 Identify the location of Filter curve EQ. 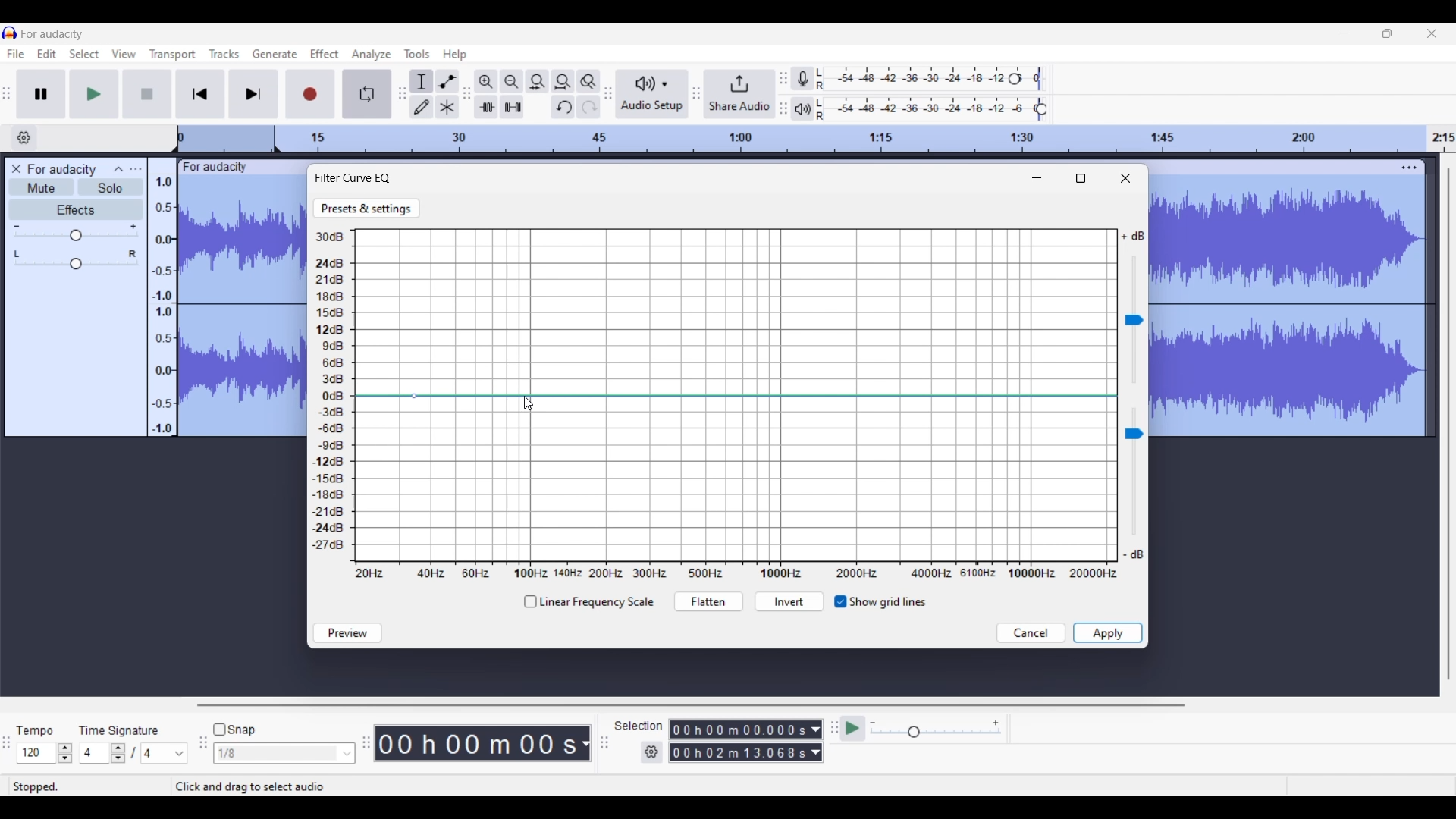
(354, 177).